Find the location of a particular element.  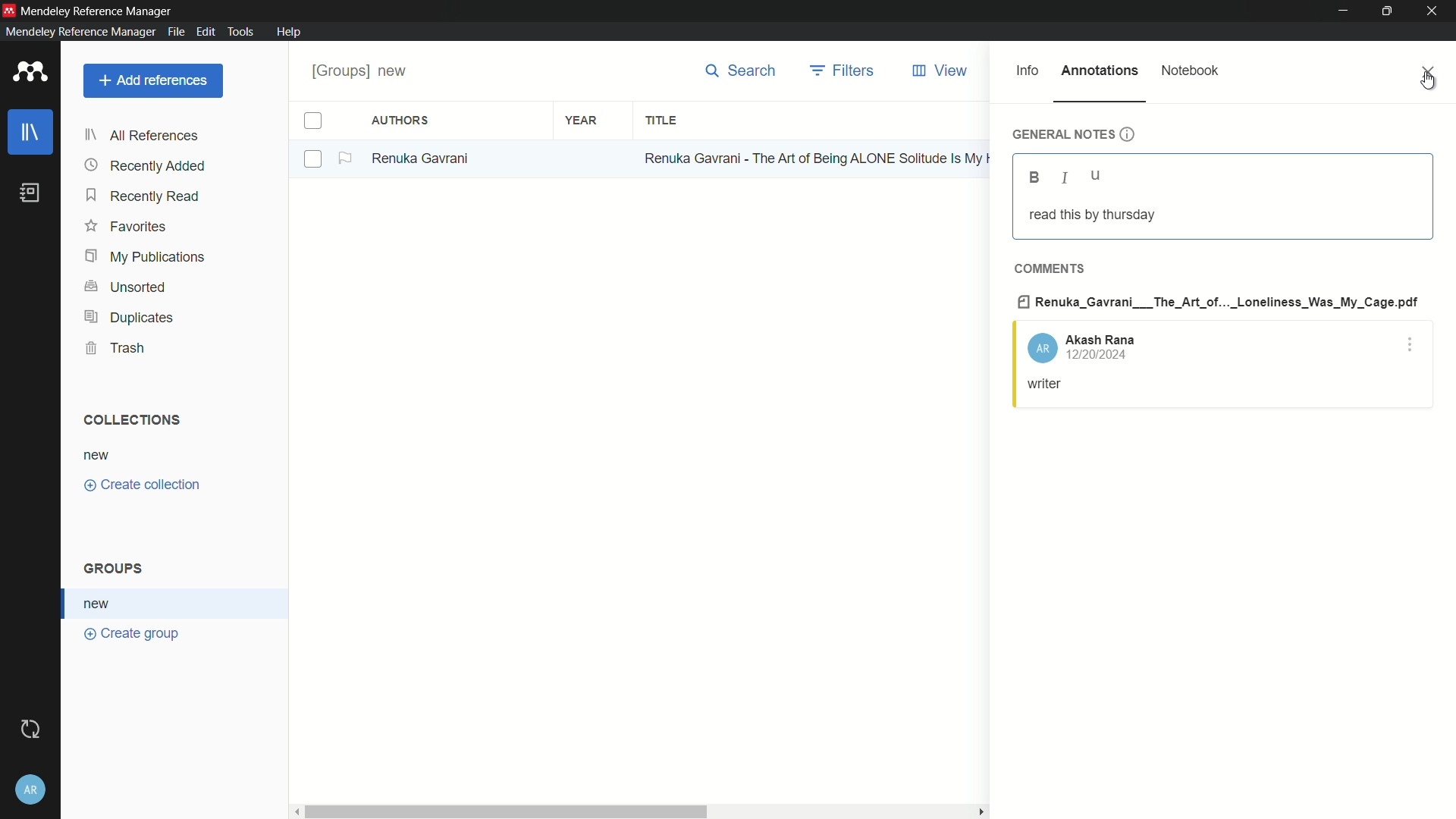

sync is located at coordinates (31, 728).